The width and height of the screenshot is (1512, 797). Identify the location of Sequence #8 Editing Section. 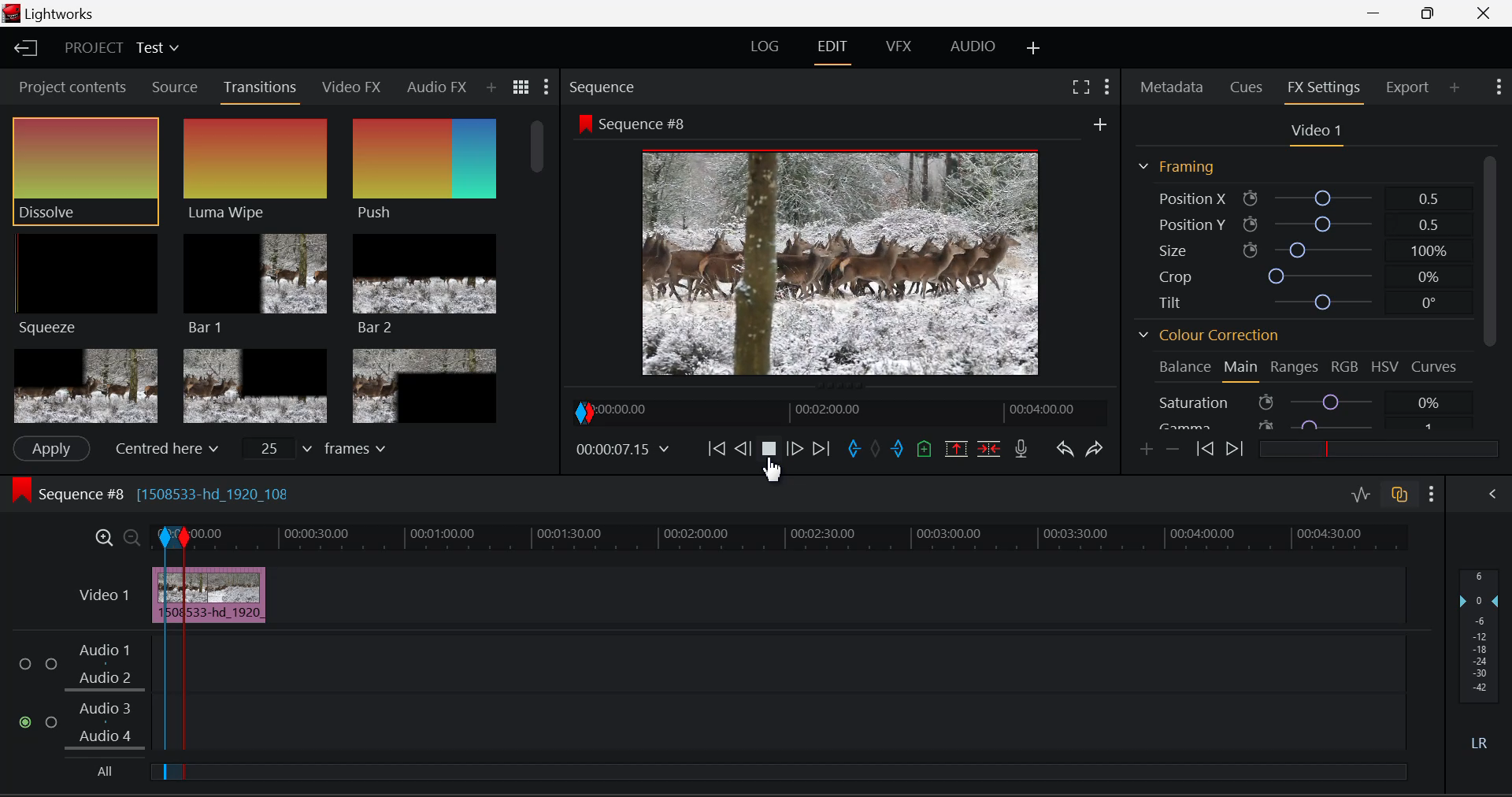
(198, 496).